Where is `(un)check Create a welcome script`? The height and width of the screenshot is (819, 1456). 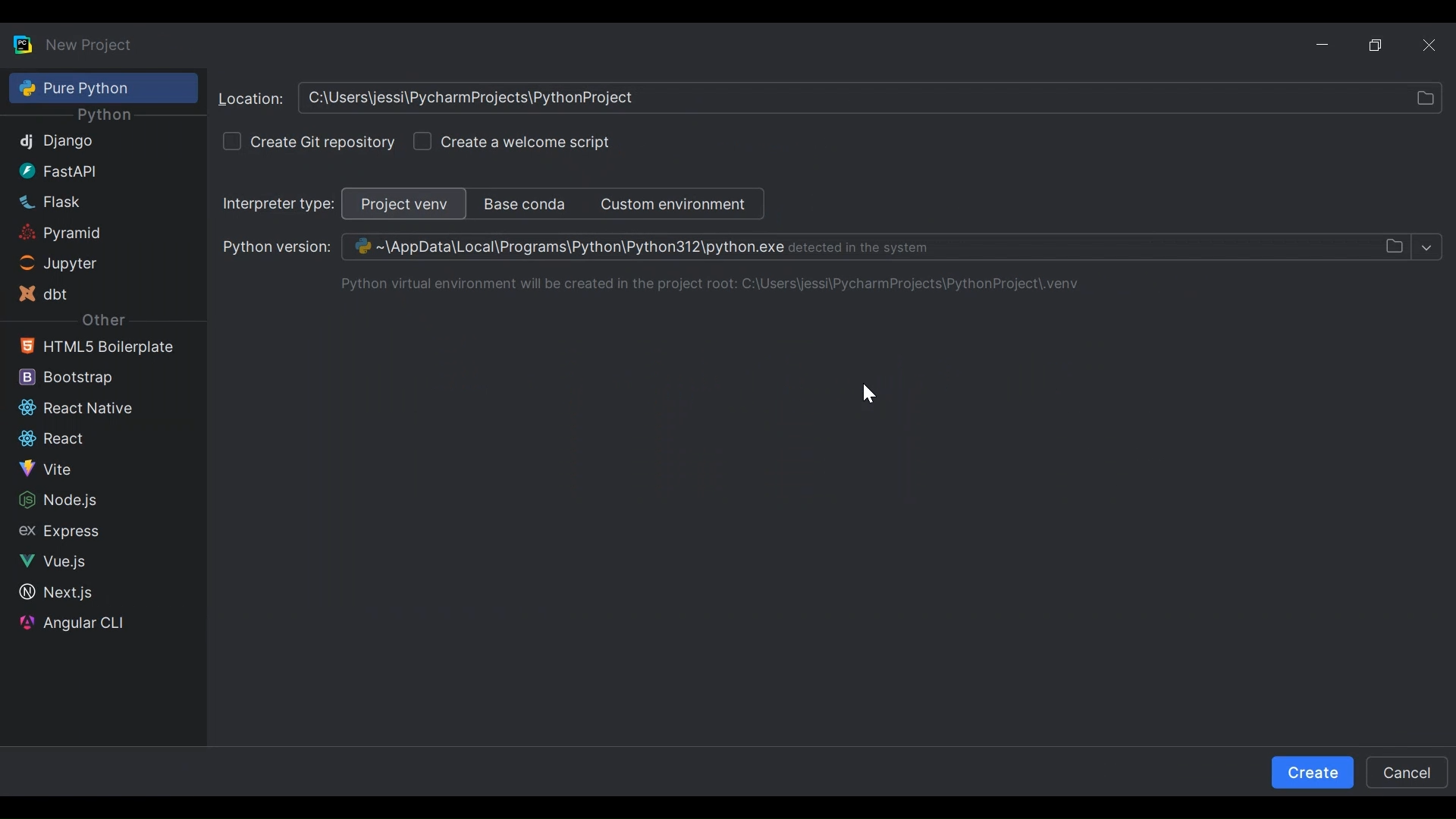 (un)check Create a welcome script is located at coordinates (511, 142).